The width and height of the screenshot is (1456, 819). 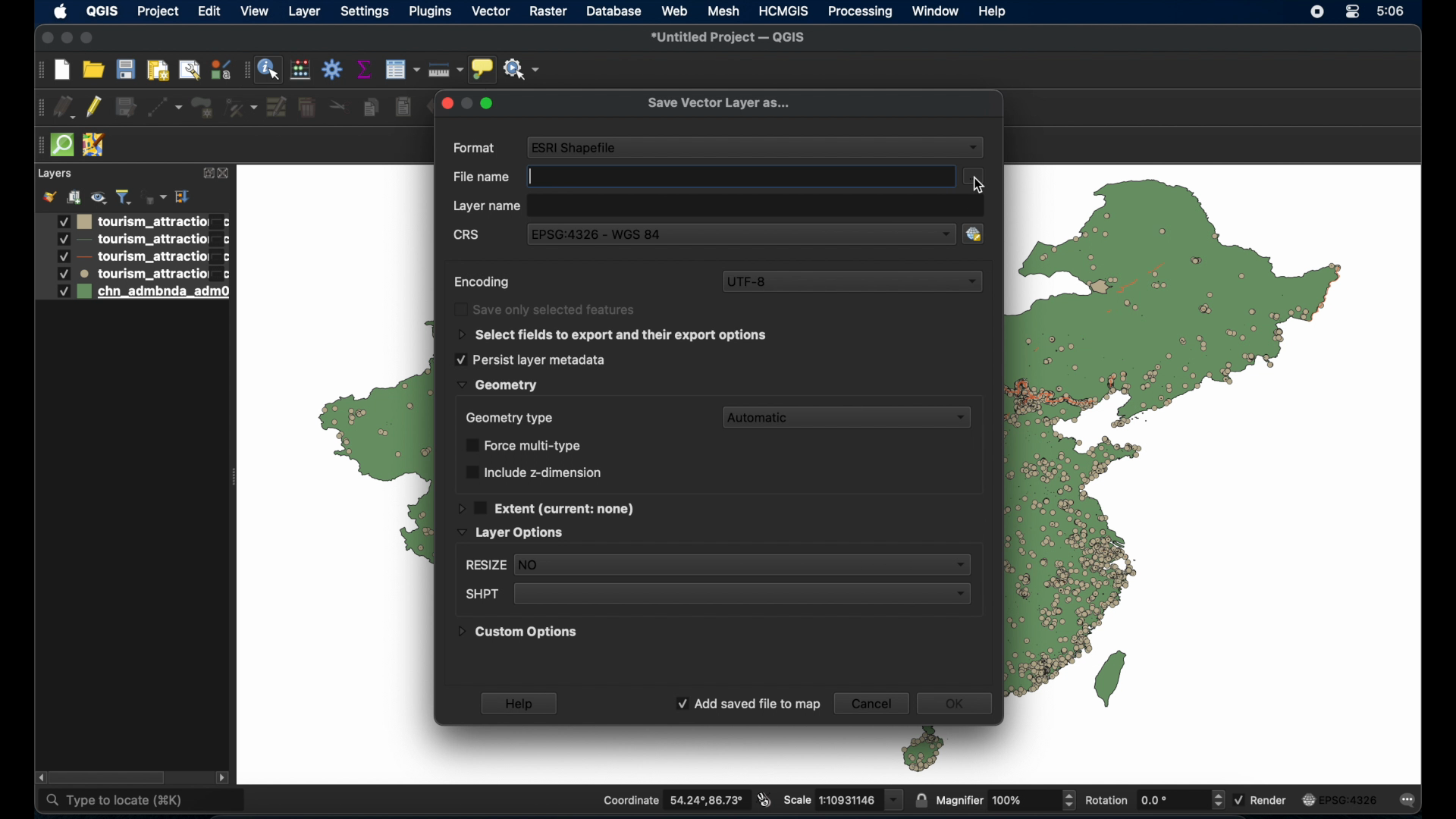 I want to click on add saved file to map, so click(x=748, y=704).